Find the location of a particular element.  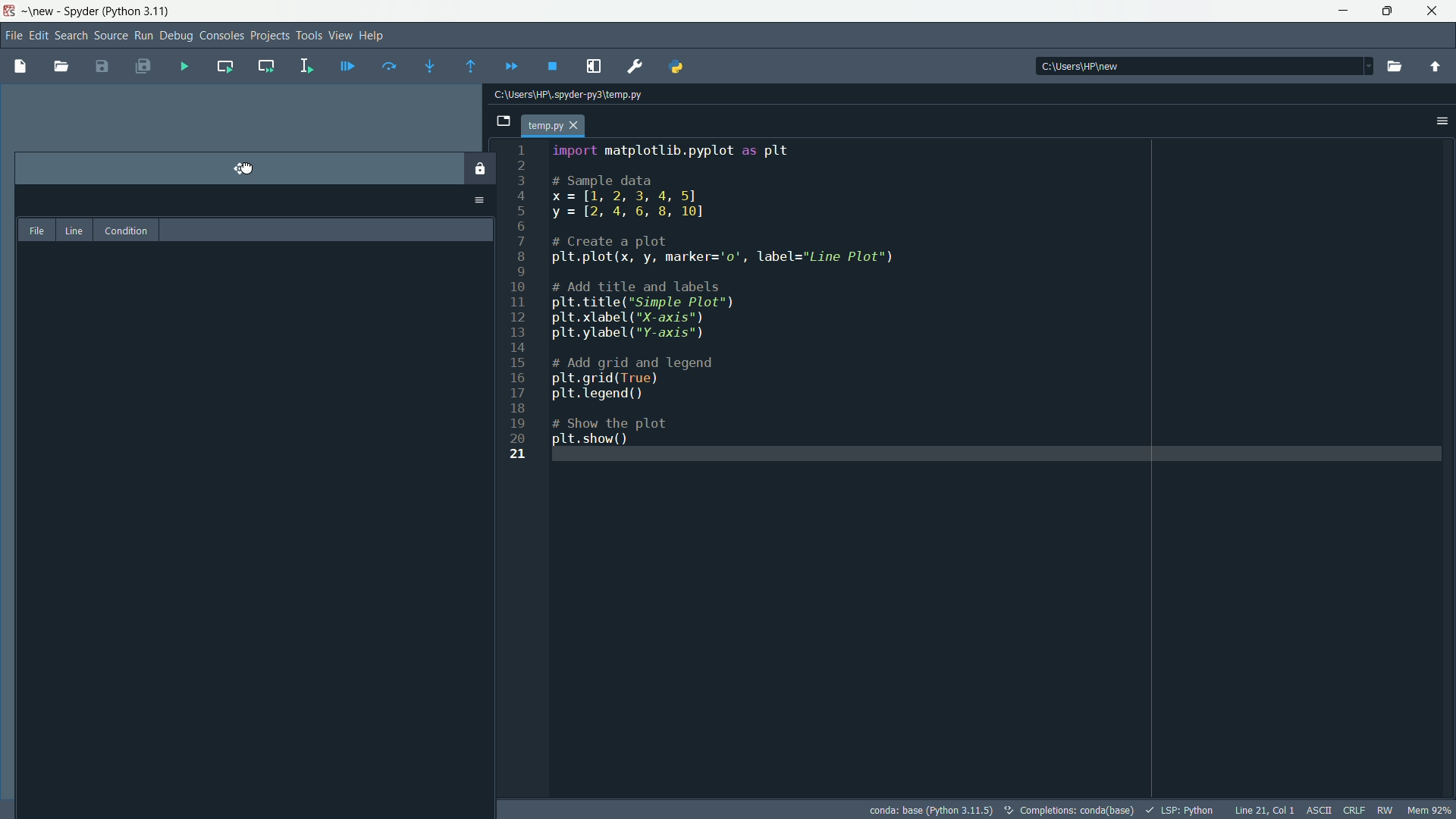

python 3.11 is located at coordinates (140, 10).